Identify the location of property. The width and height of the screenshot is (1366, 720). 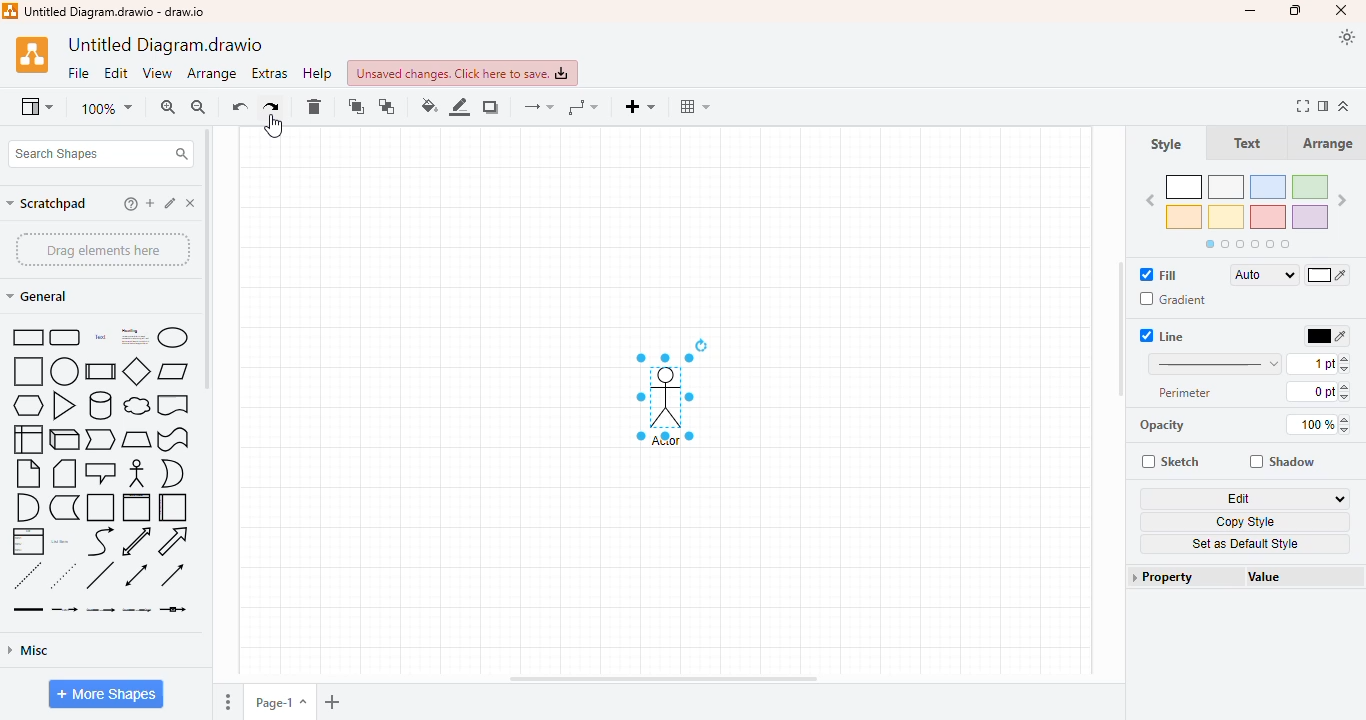
(1185, 577).